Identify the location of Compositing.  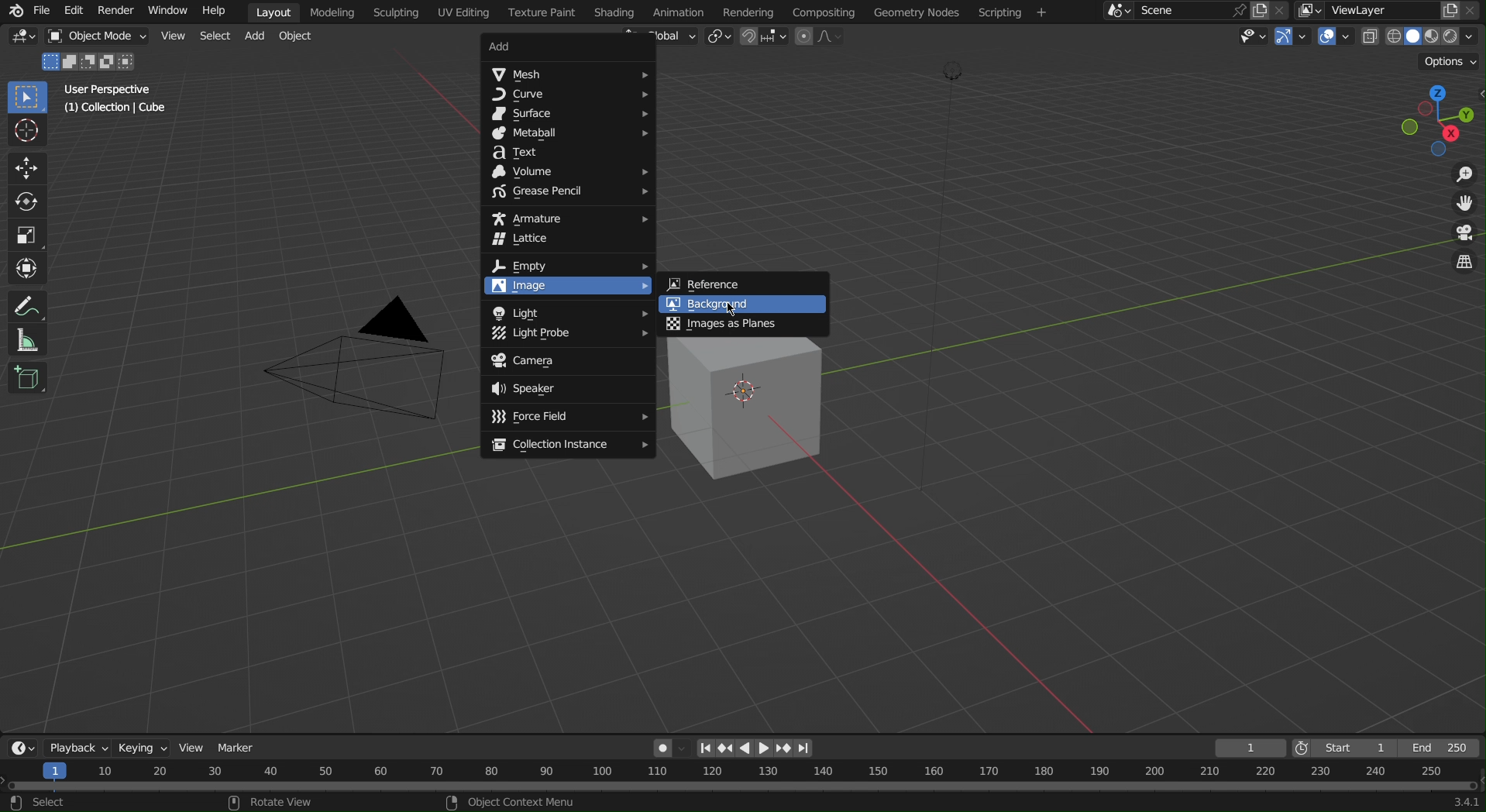
(822, 11).